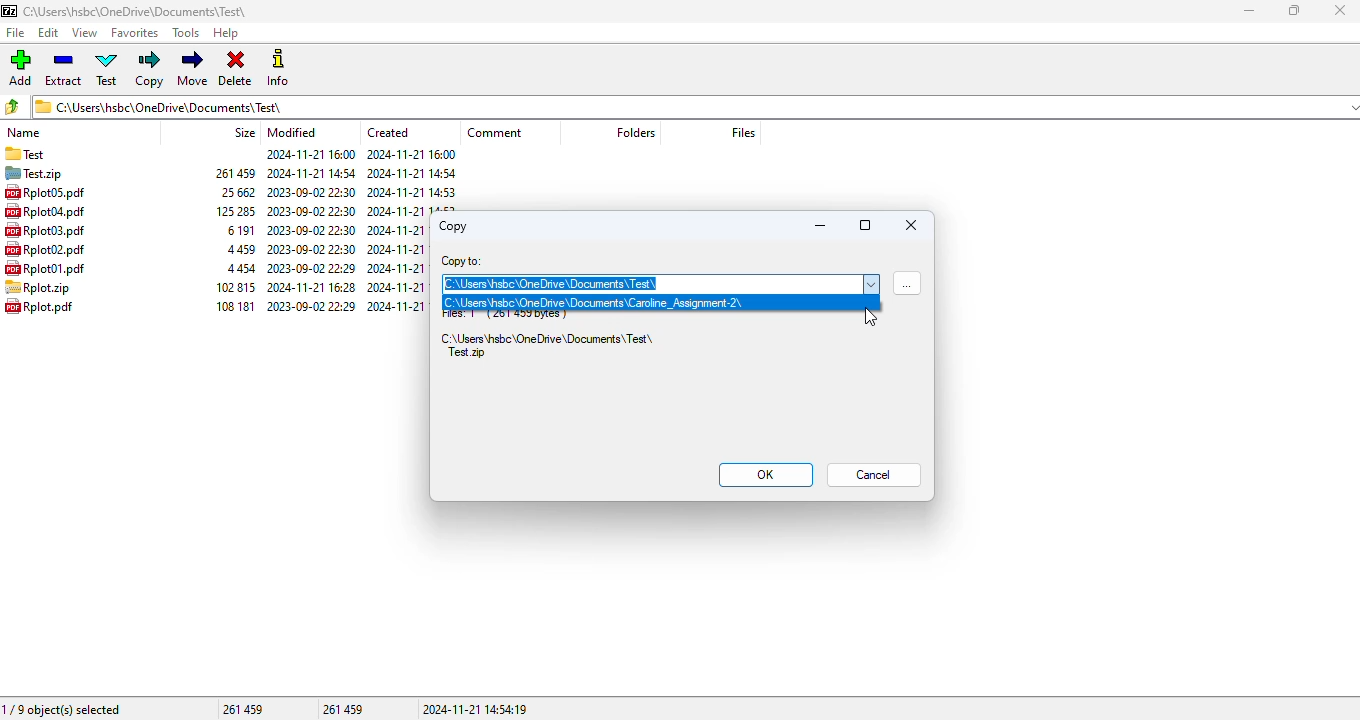 Image resolution: width=1360 pixels, height=720 pixels. Describe the element at coordinates (44, 248) in the screenshot. I see `file name` at that location.